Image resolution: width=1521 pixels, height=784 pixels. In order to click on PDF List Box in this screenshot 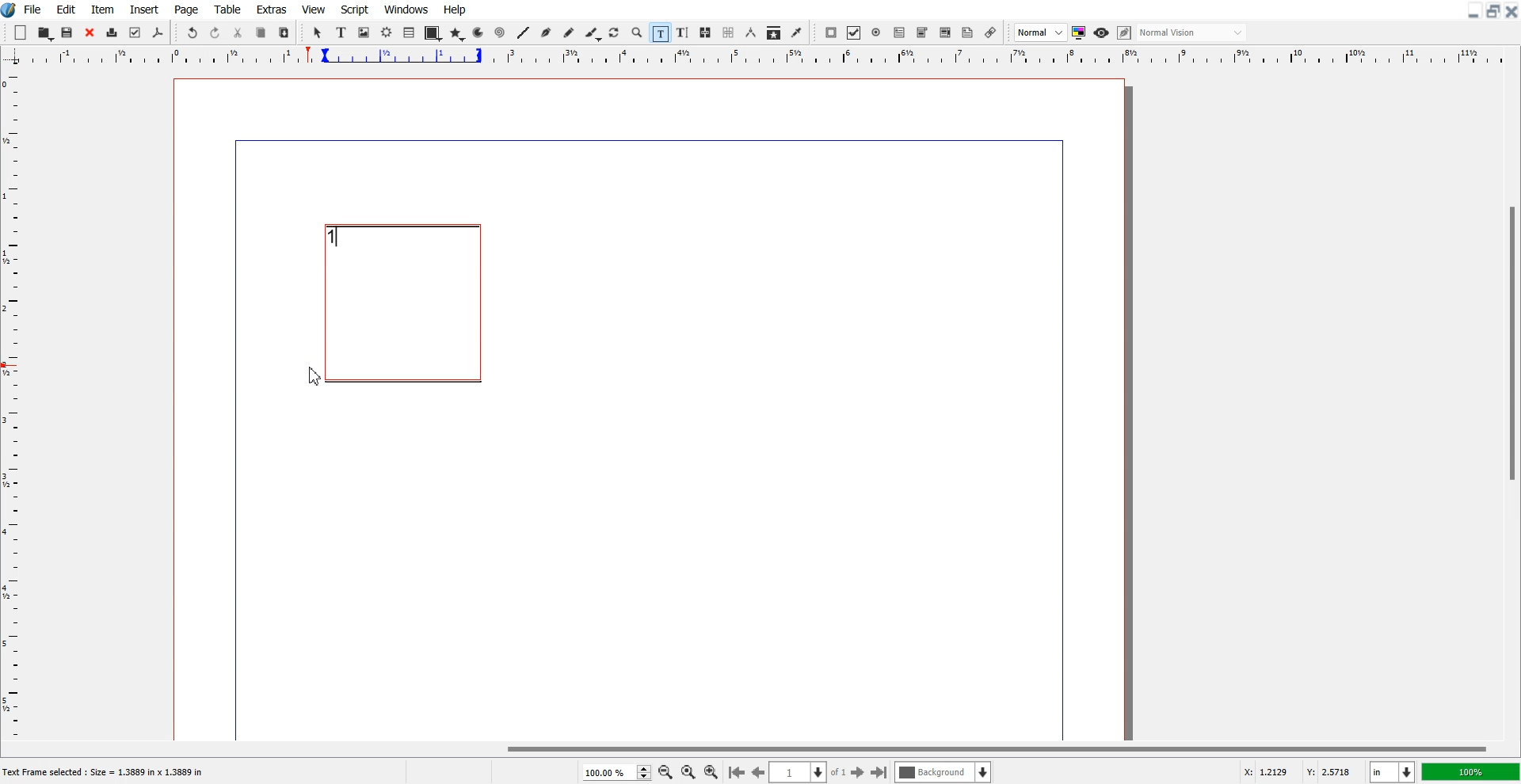, I will do `click(945, 33)`.